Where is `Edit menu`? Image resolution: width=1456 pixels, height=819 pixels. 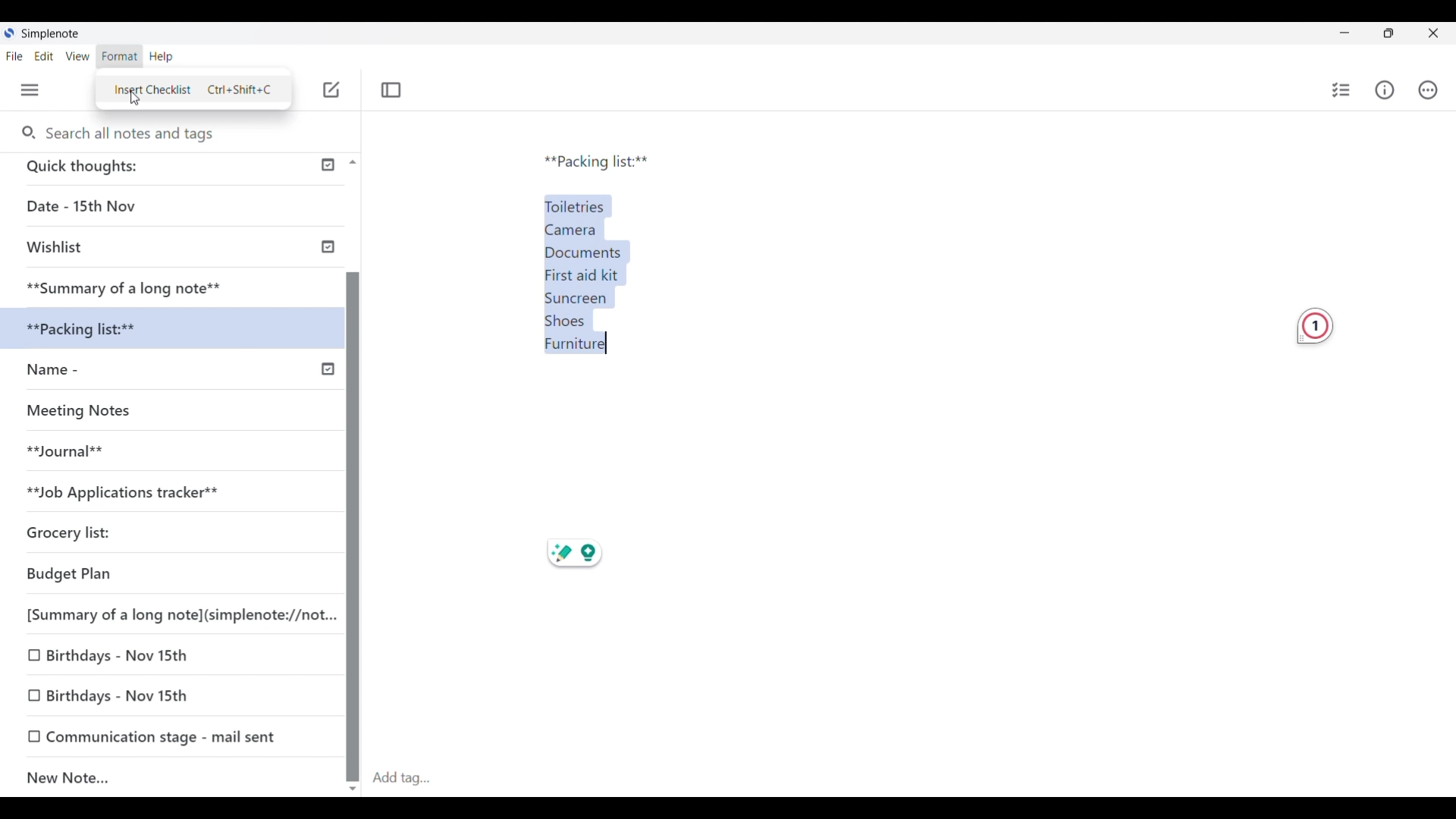 Edit menu is located at coordinates (45, 56).